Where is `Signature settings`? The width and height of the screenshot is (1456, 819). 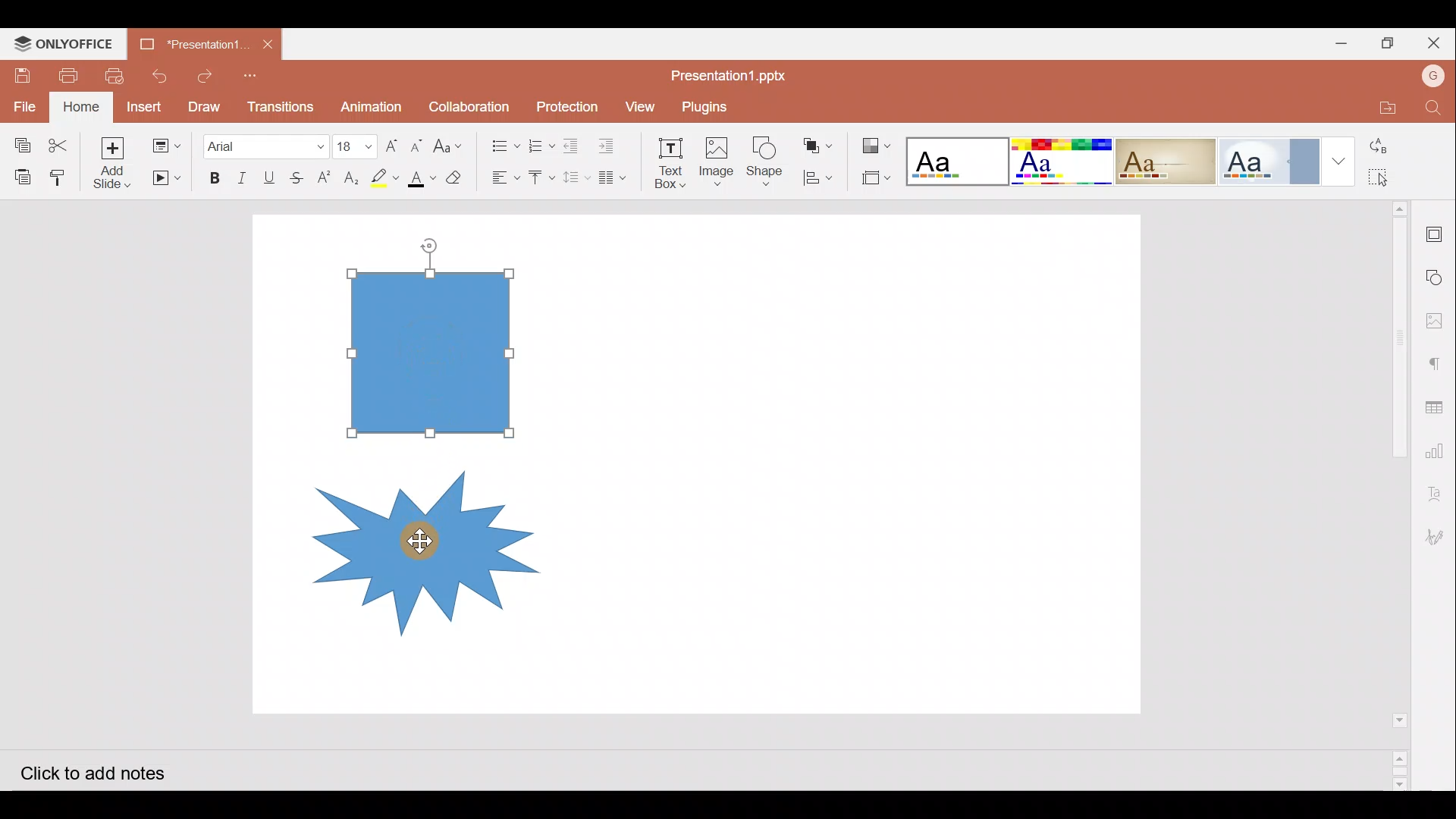 Signature settings is located at coordinates (1439, 536).